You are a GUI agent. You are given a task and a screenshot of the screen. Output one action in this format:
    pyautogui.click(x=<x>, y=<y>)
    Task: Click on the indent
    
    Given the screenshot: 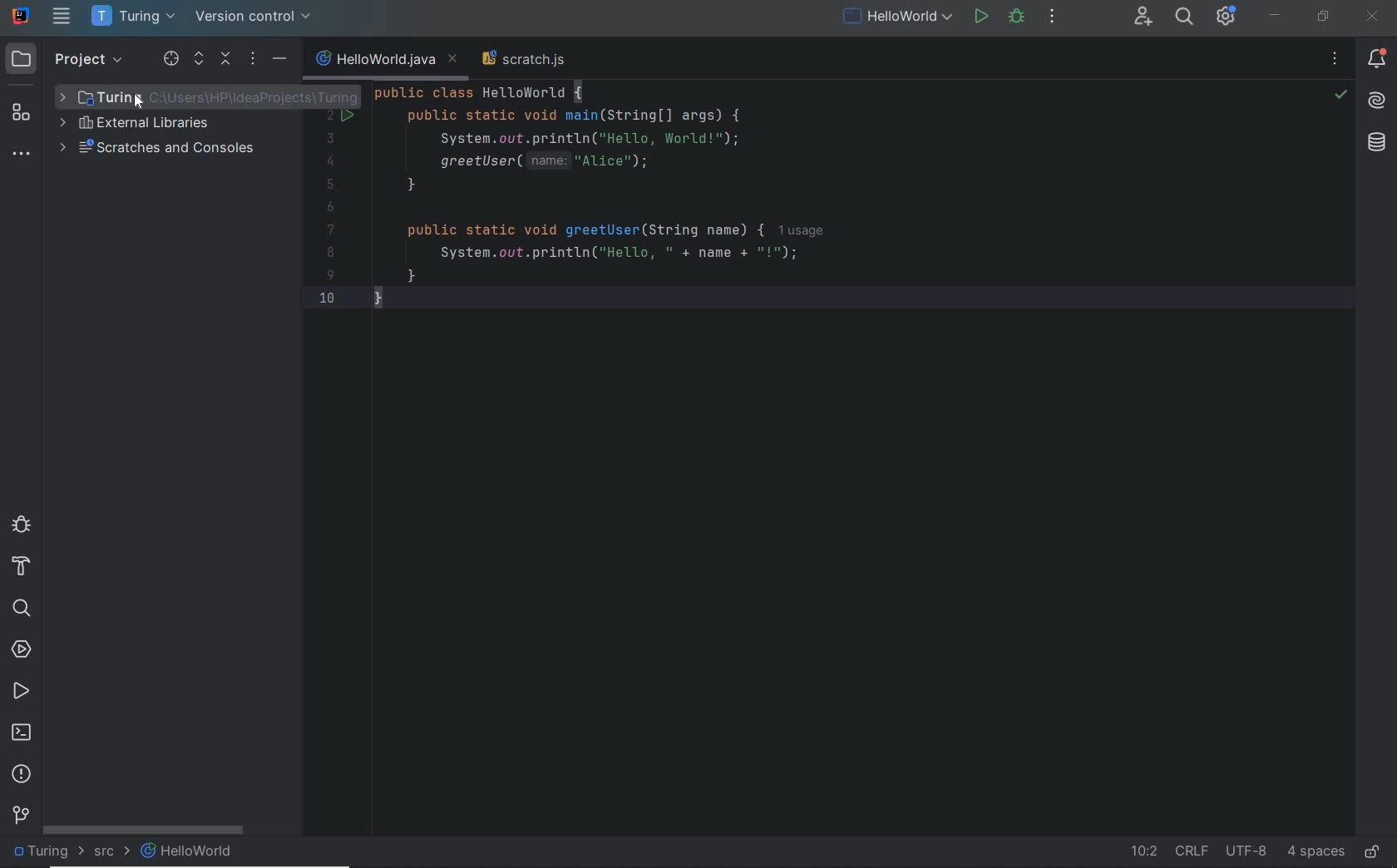 What is the action you would take?
    pyautogui.click(x=1314, y=853)
    